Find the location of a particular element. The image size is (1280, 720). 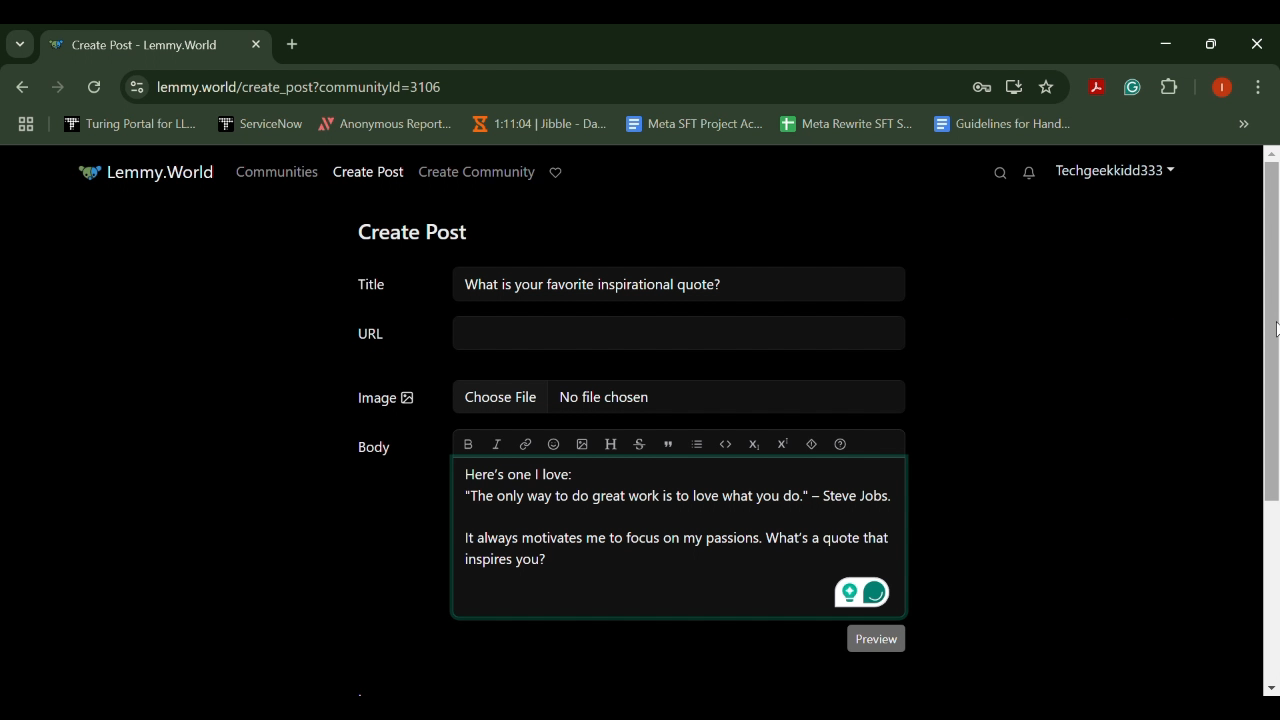

Techgeekkidd333 is located at coordinates (1114, 173).